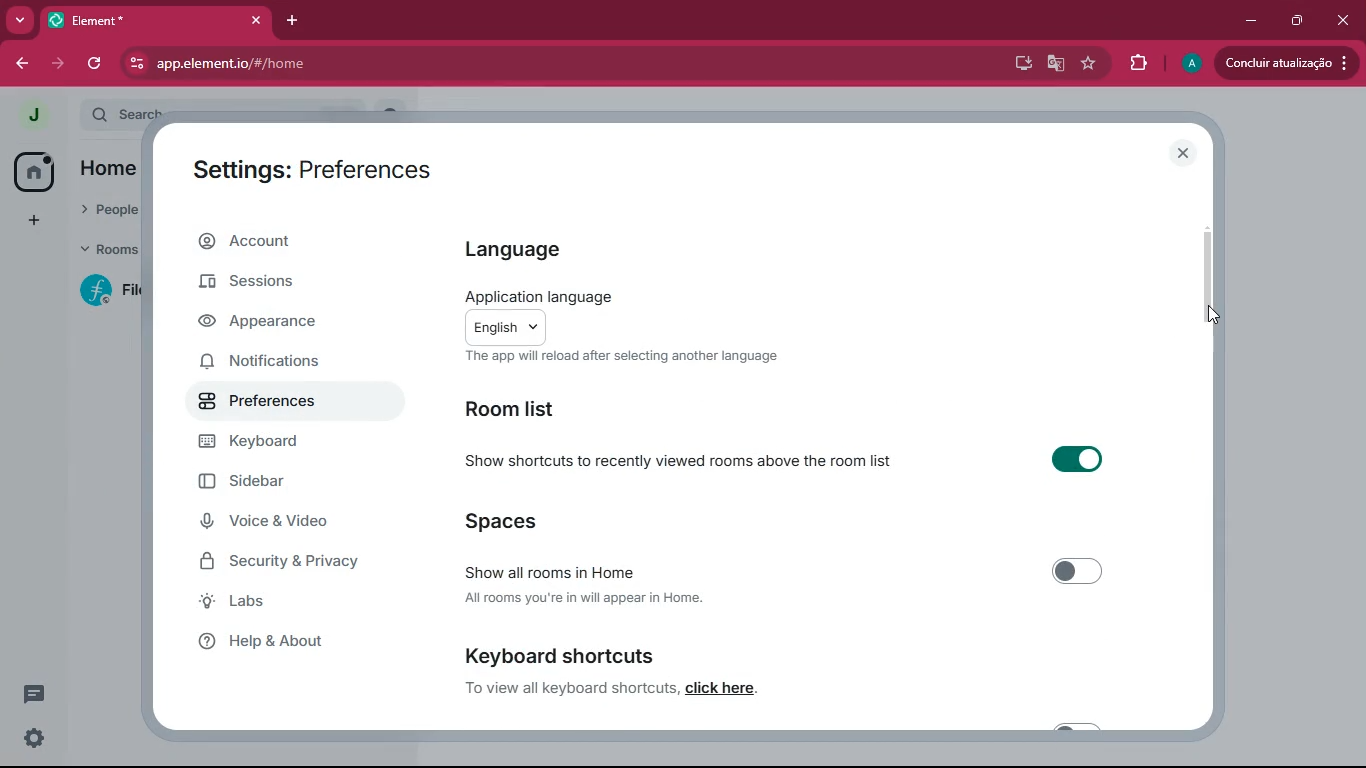 The height and width of the screenshot is (768, 1366). Describe the element at coordinates (513, 326) in the screenshot. I see `English` at that location.